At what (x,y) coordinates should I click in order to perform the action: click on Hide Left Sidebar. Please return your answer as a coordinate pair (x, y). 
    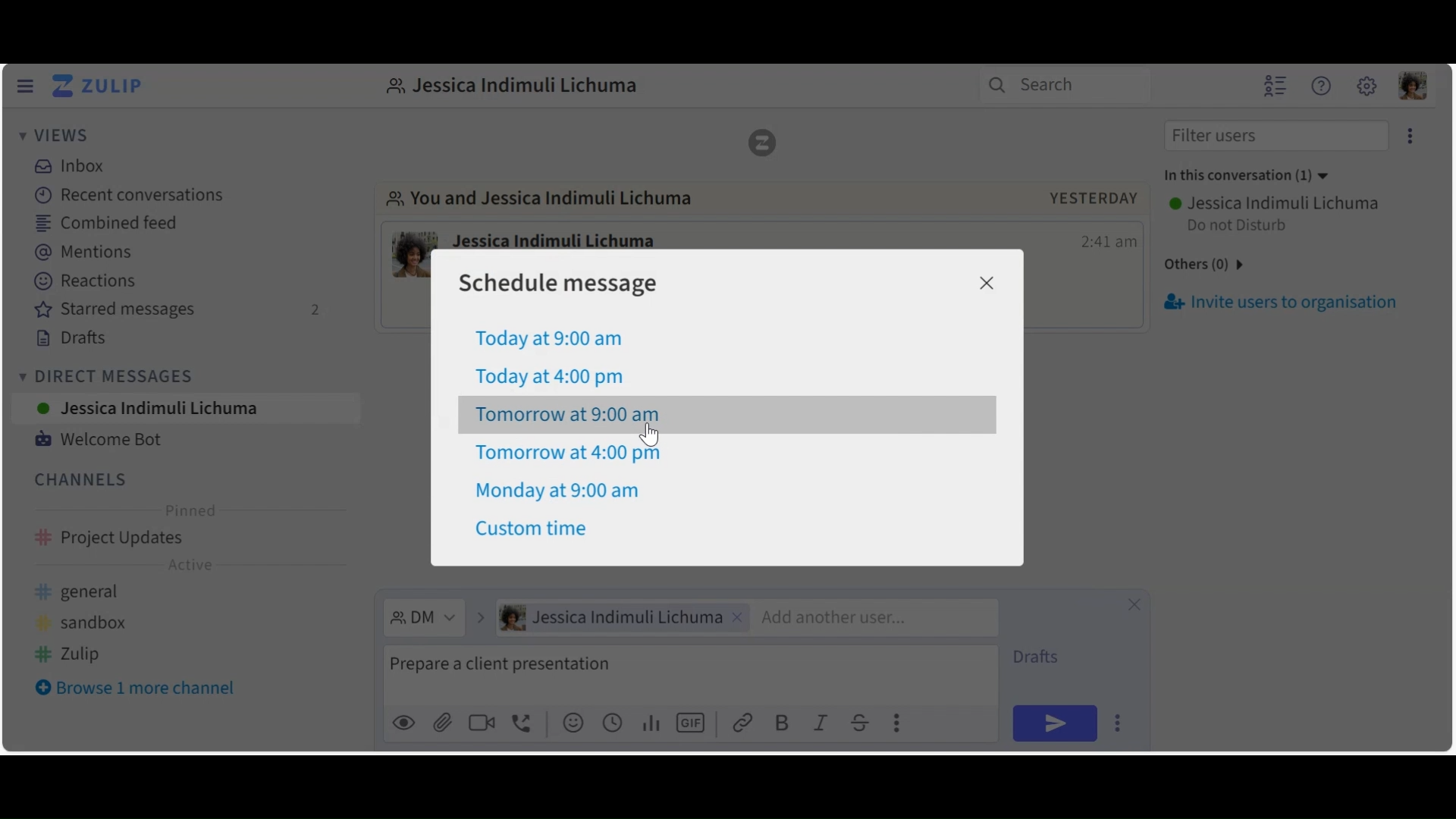
    Looking at the image, I should click on (24, 86).